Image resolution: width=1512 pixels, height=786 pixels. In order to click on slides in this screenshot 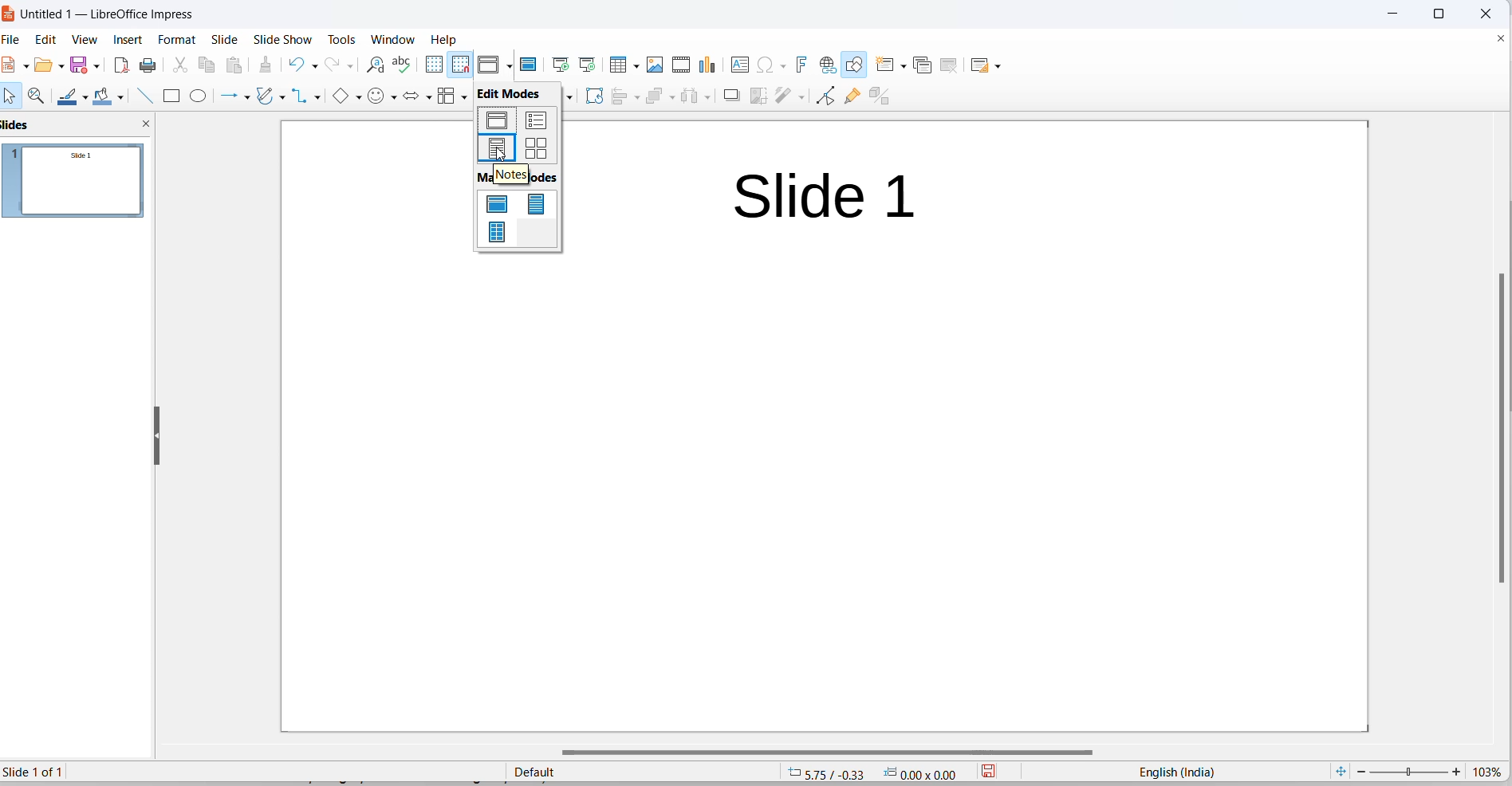, I will do `click(79, 185)`.